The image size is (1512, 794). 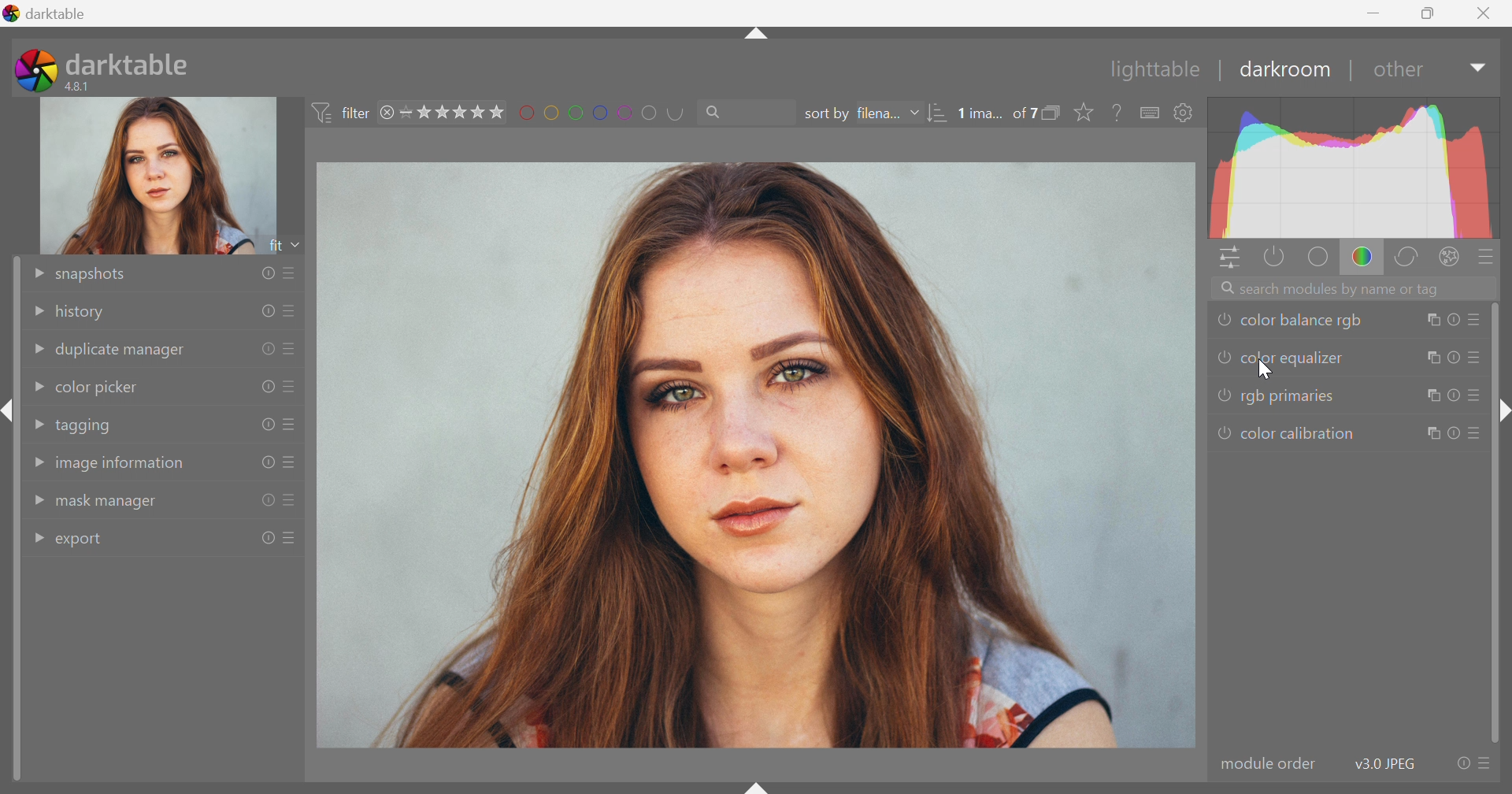 I want to click on Drop Down, so click(x=36, y=462).